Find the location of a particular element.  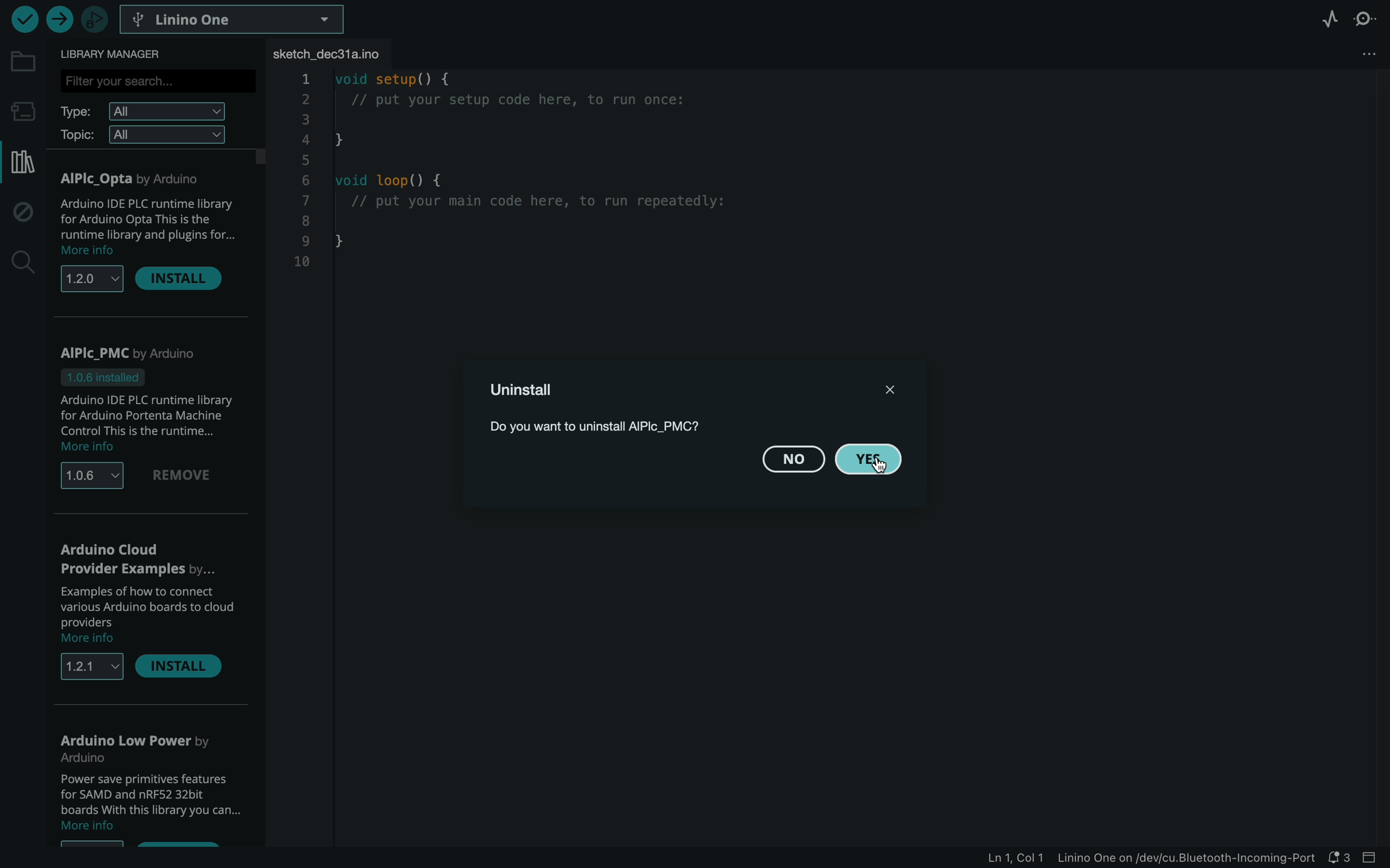

board selector is located at coordinates (237, 21).